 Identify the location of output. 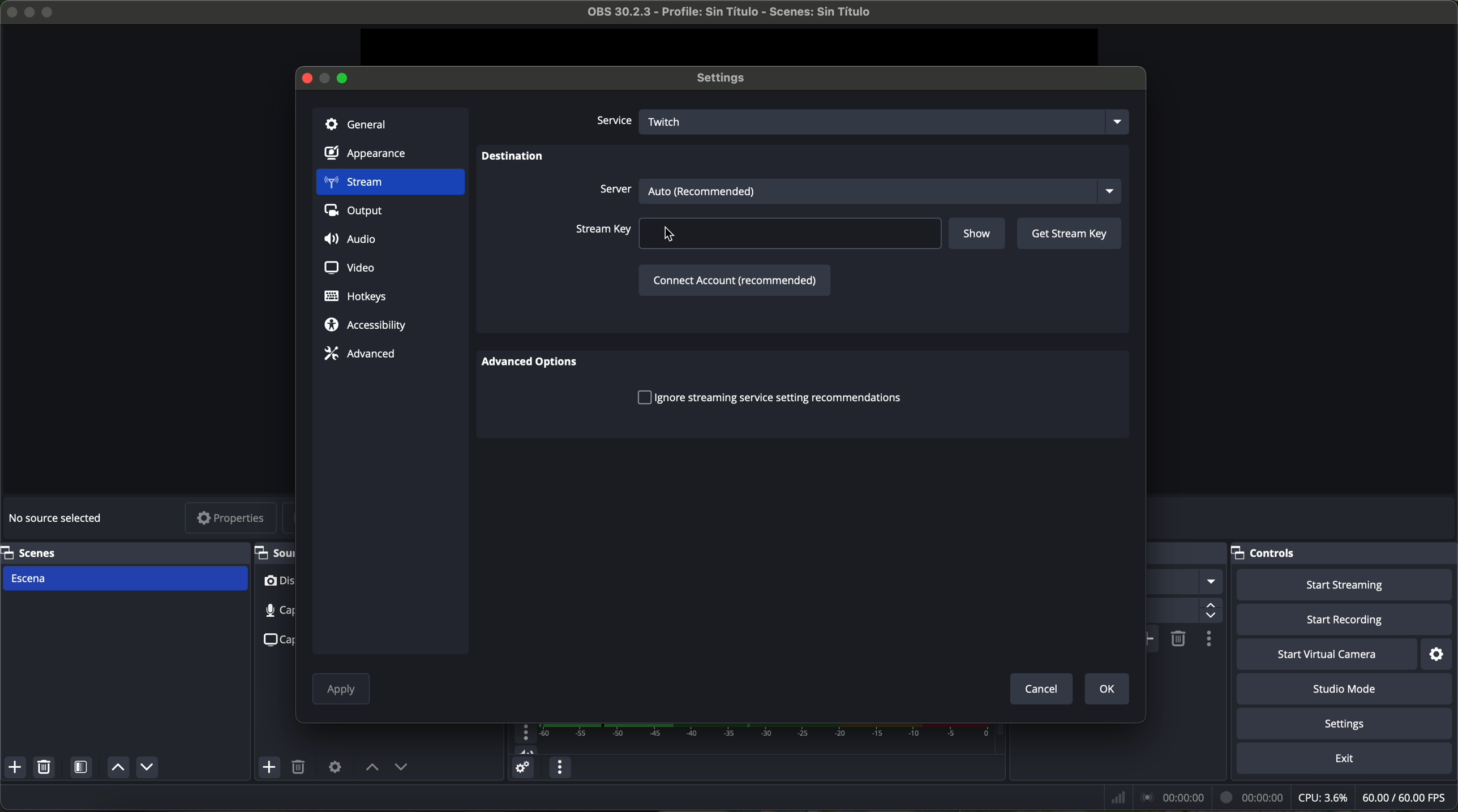
(358, 213).